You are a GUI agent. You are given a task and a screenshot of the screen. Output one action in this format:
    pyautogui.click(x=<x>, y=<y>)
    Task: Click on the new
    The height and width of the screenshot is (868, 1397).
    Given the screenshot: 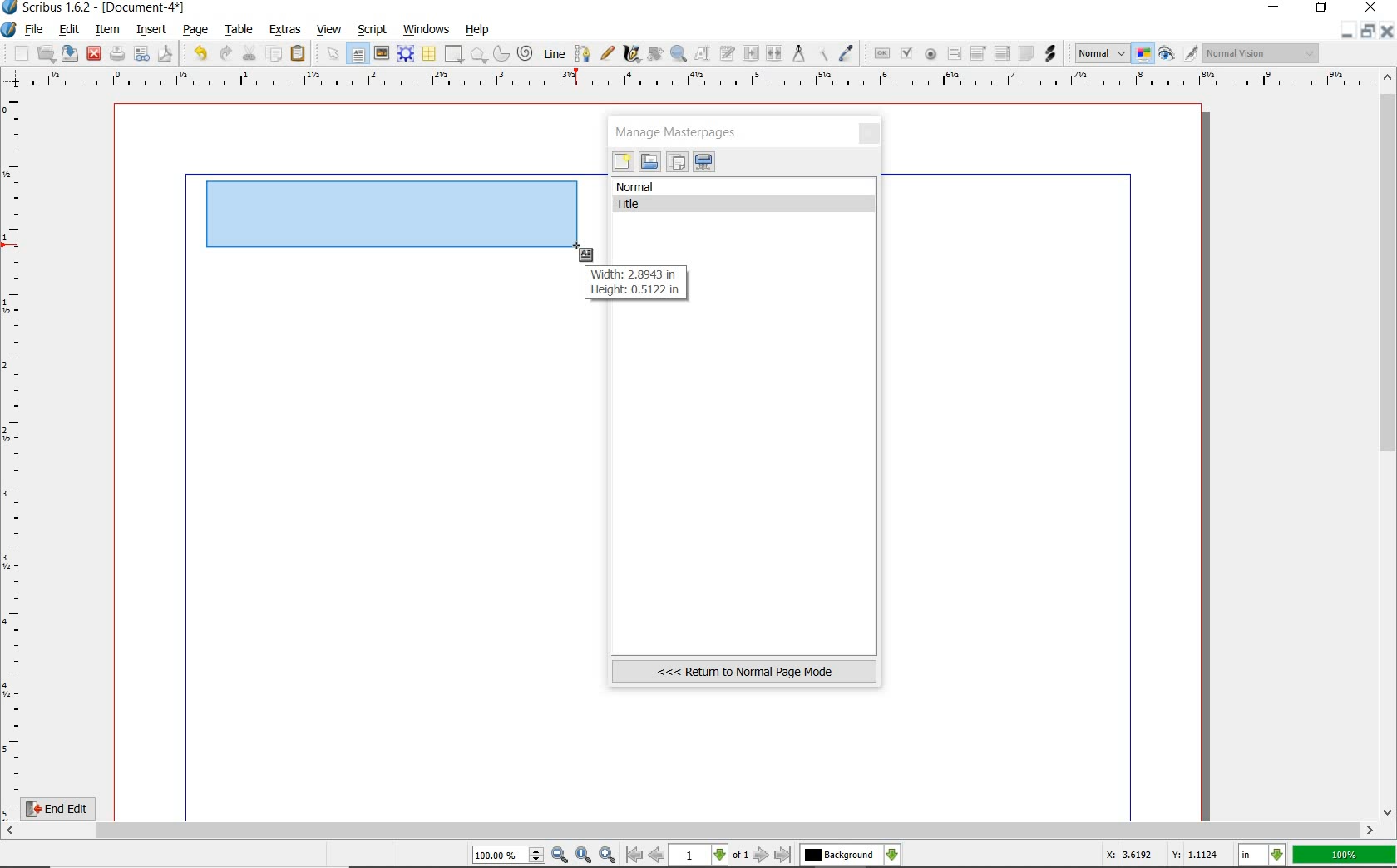 What is the action you would take?
    pyautogui.click(x=623, y=164)
    